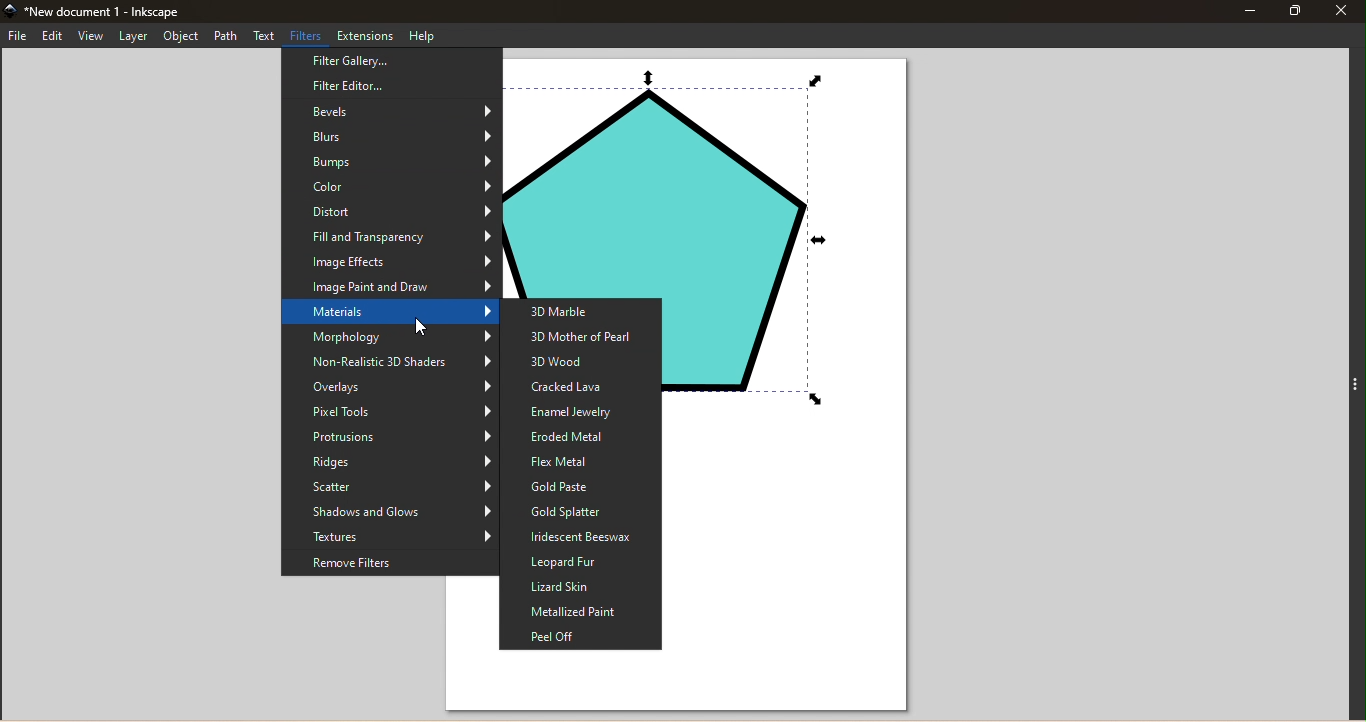 The height and width of the screenshot is (722, 1366). I want to click on Filters, so click(308, 35).